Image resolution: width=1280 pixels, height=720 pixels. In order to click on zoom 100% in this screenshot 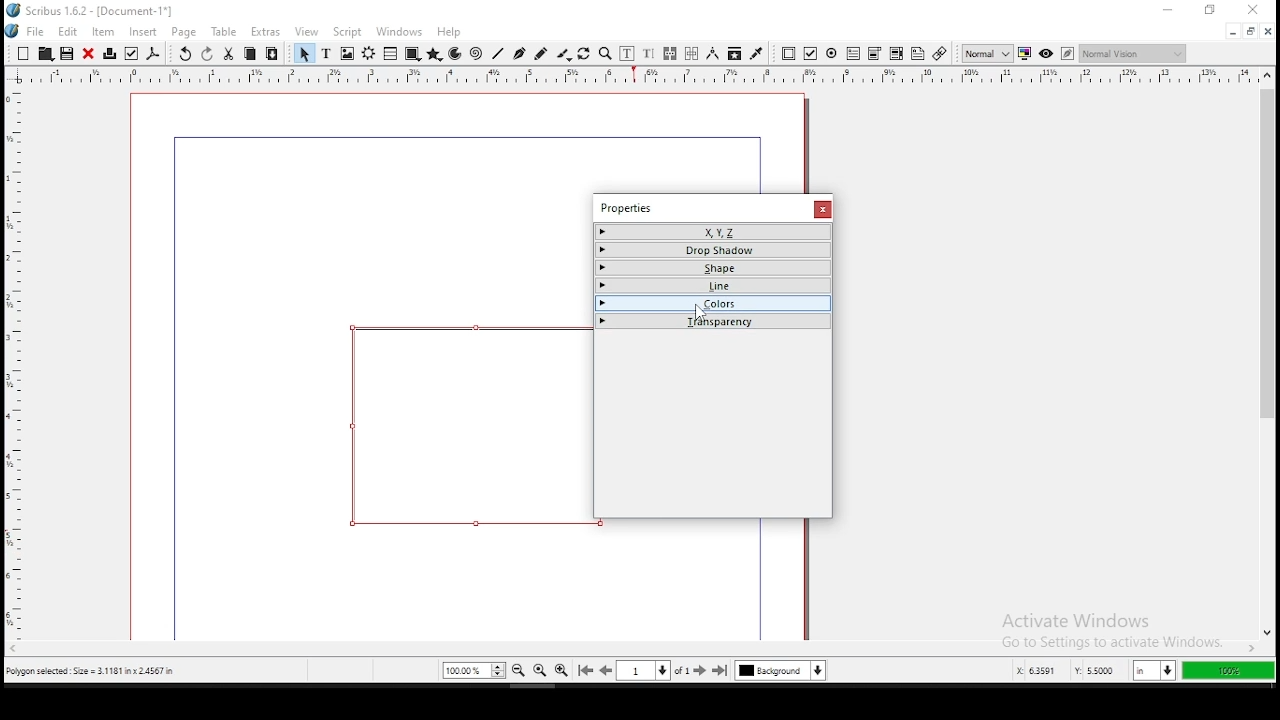, I will do `click(474, 670)`.